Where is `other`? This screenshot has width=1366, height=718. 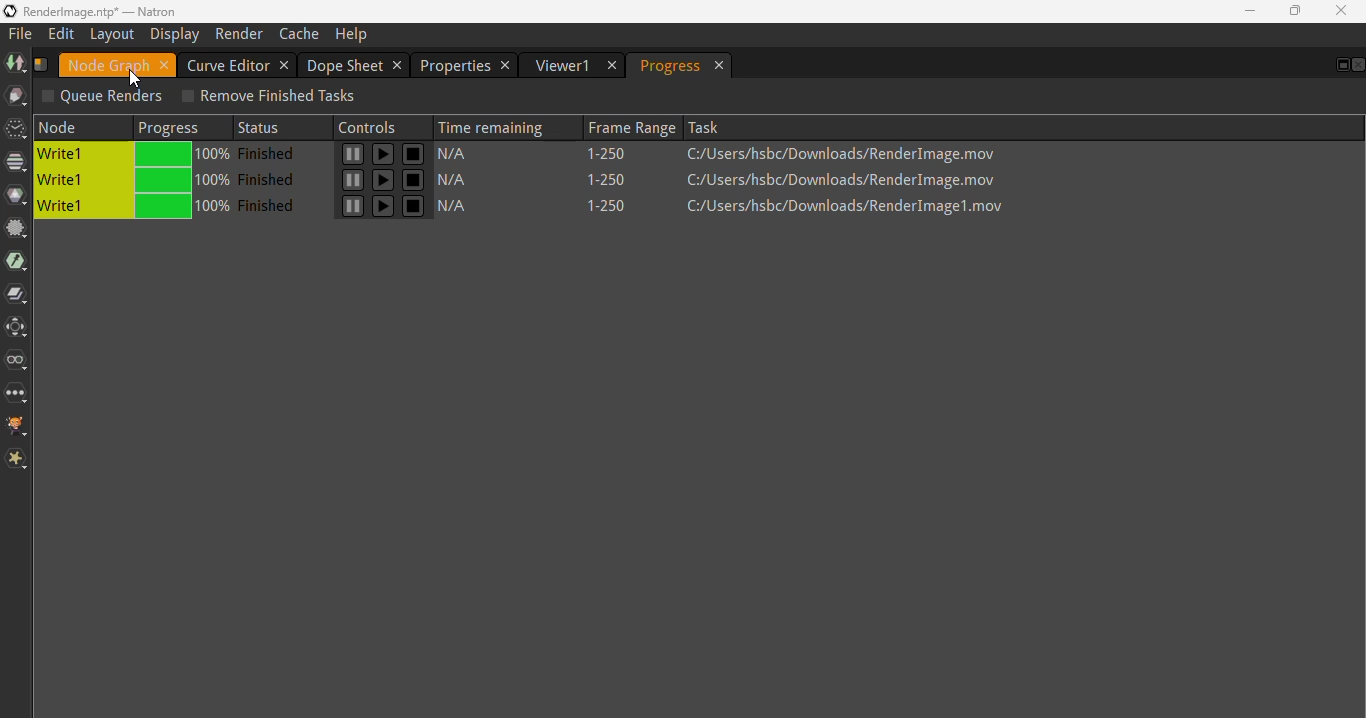
other is located at coordinates (17, 393).